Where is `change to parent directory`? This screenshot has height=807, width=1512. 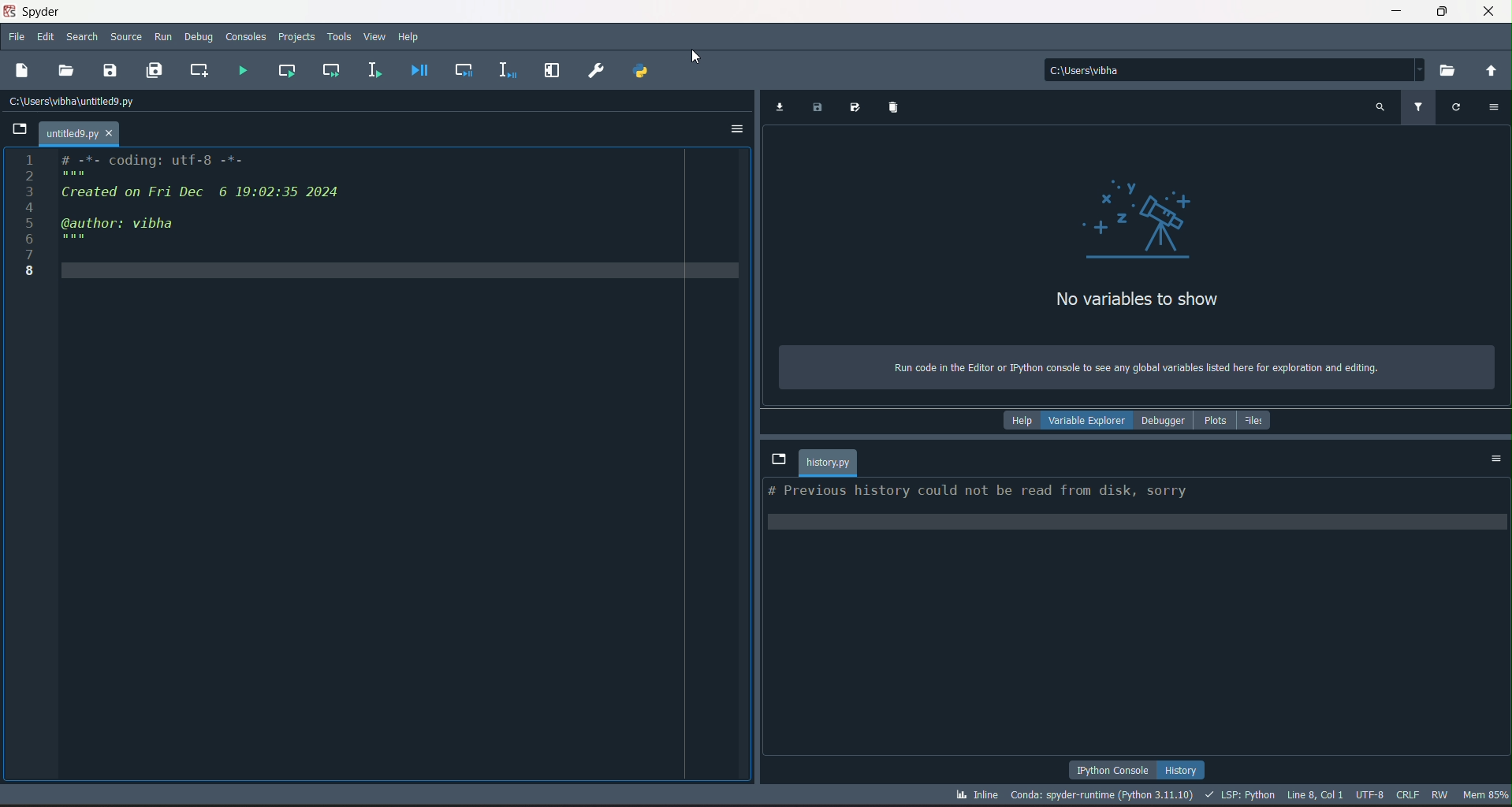 change to parent directory is located at coordinates (1490, 70).